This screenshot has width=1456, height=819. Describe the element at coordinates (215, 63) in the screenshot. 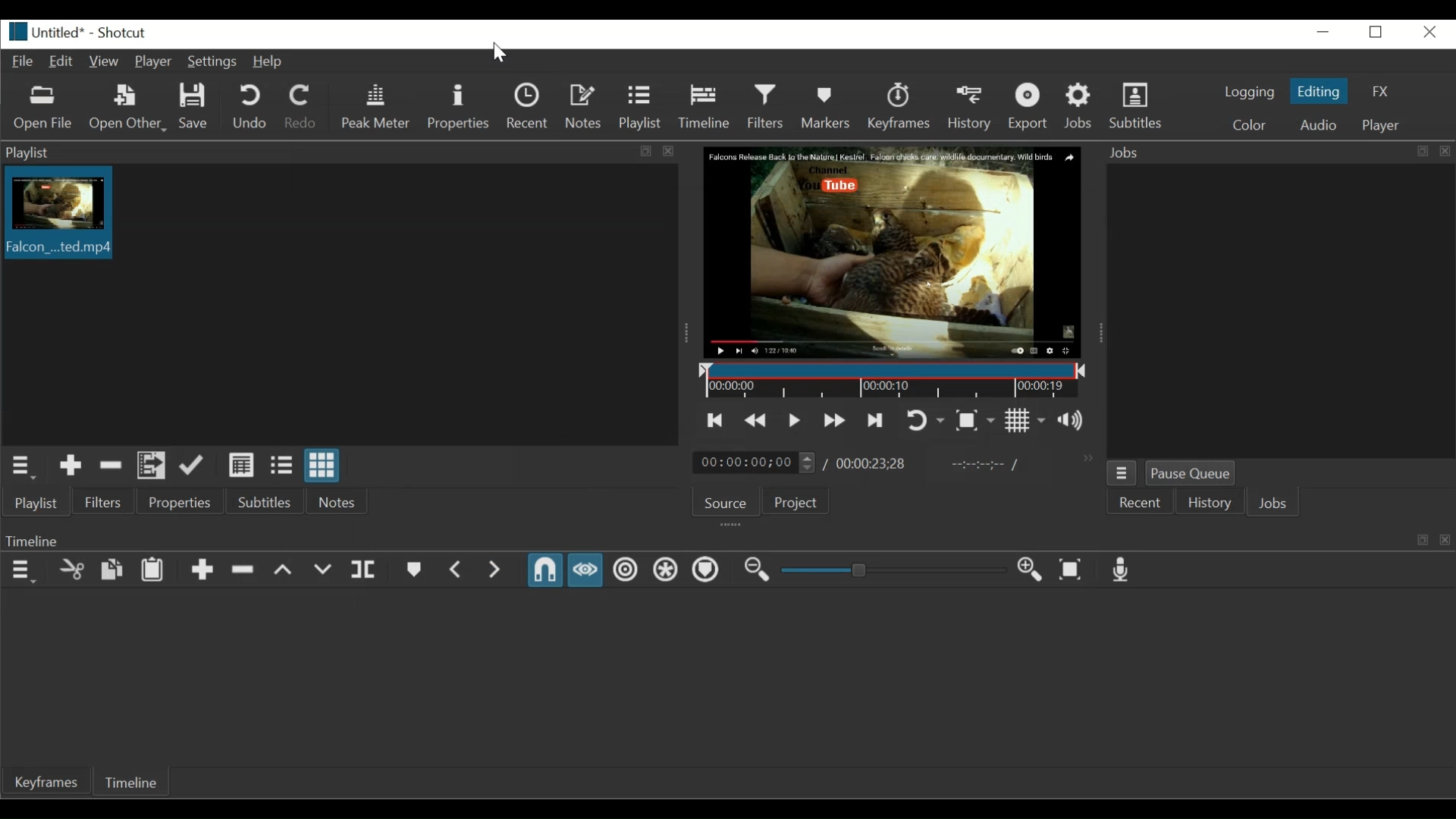

I see `Settings` at that location.